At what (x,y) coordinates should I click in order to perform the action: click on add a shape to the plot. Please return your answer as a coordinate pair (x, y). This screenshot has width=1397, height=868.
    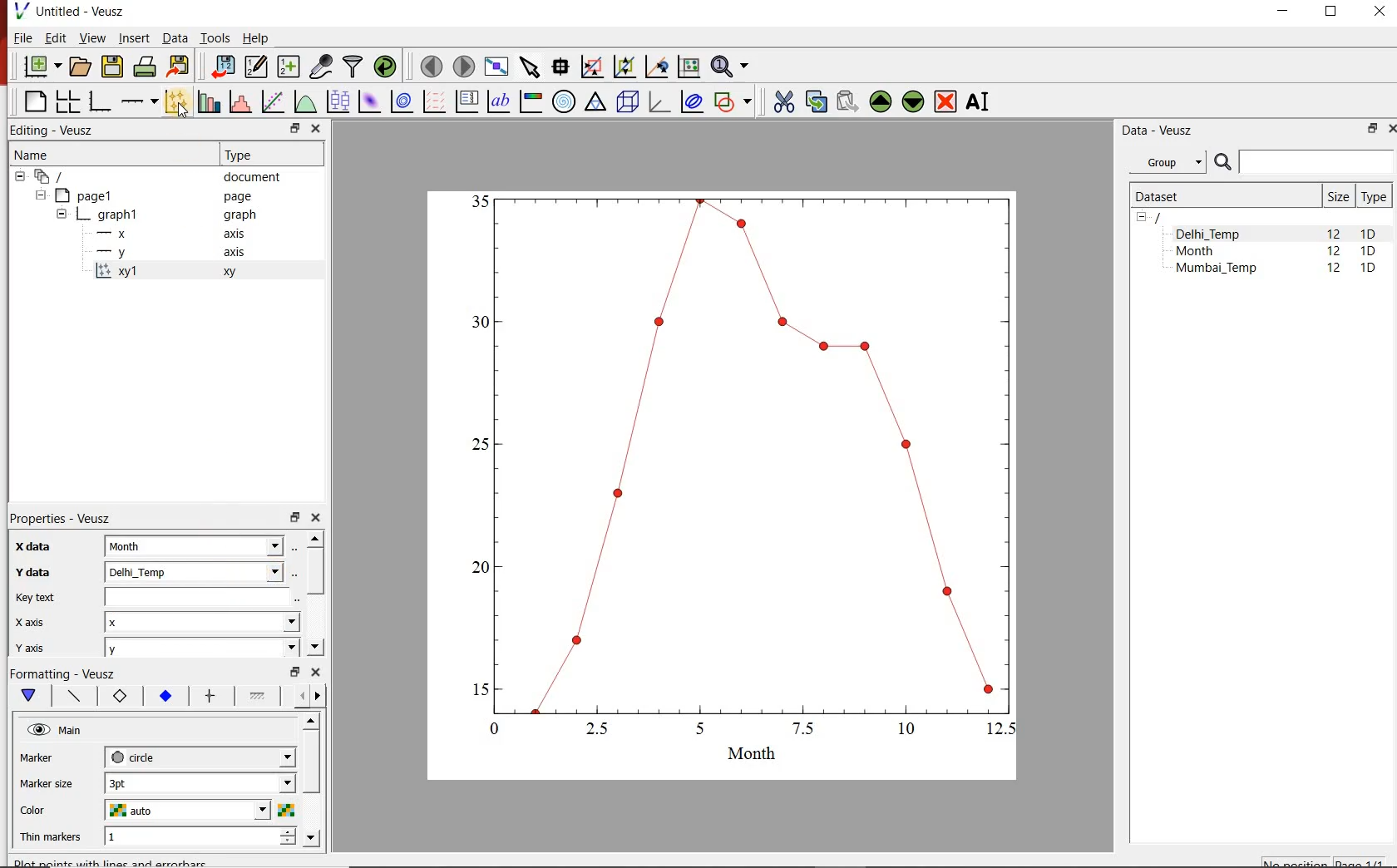
    Looking at the image, I should click on (733, 103).